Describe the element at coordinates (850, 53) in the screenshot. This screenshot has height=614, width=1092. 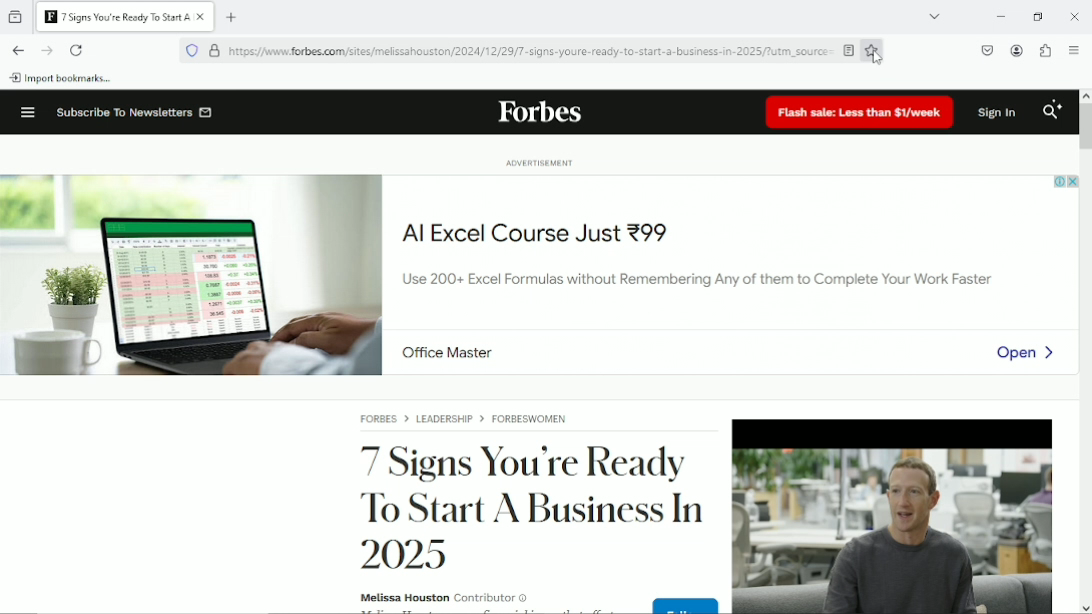
I see `enable reading mode` at that location.